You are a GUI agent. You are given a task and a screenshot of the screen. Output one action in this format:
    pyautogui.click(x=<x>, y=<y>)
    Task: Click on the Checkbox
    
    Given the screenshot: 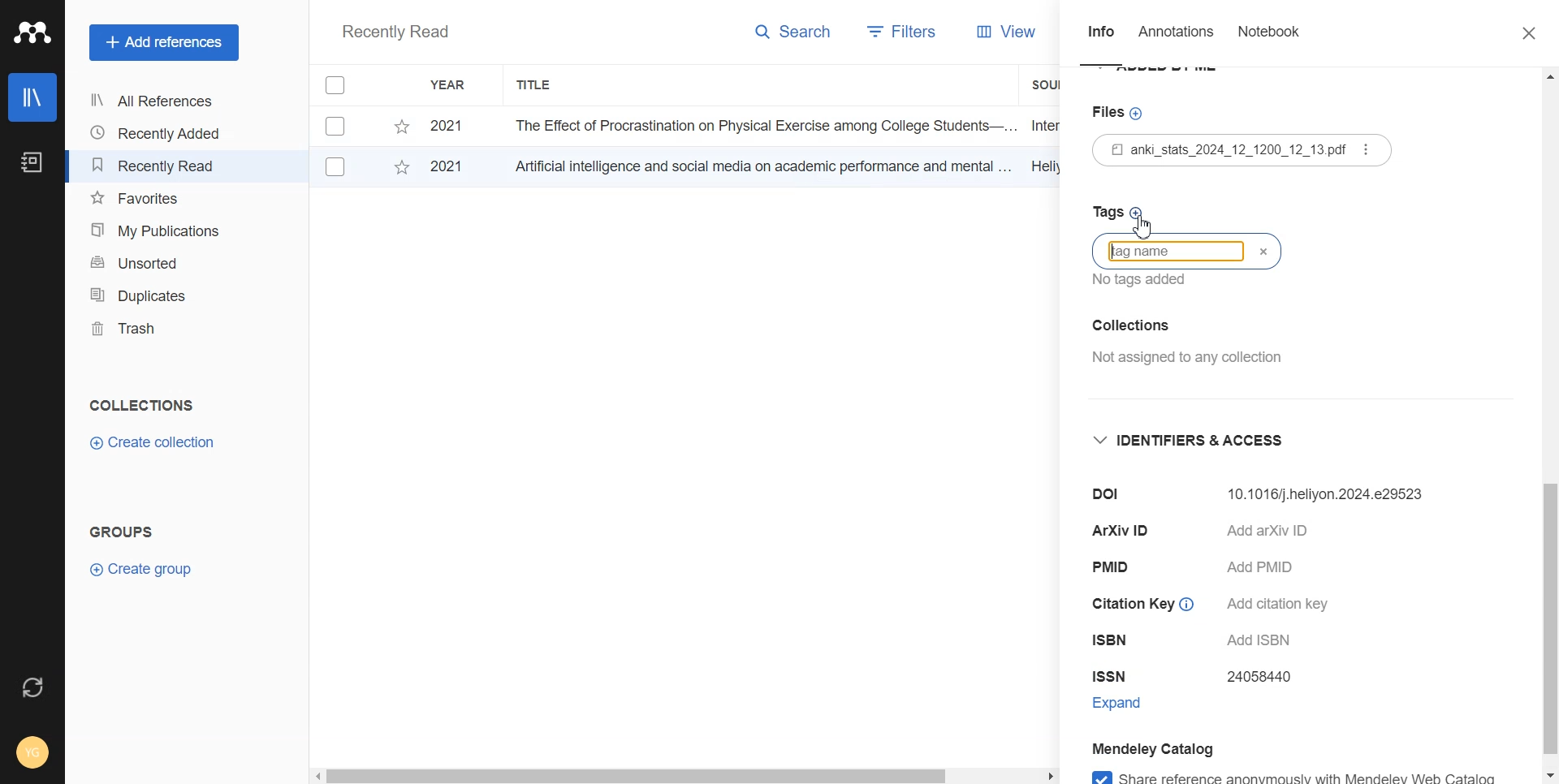 What is the action you would take?
    pyautogui.click(x=339, y=83)
    